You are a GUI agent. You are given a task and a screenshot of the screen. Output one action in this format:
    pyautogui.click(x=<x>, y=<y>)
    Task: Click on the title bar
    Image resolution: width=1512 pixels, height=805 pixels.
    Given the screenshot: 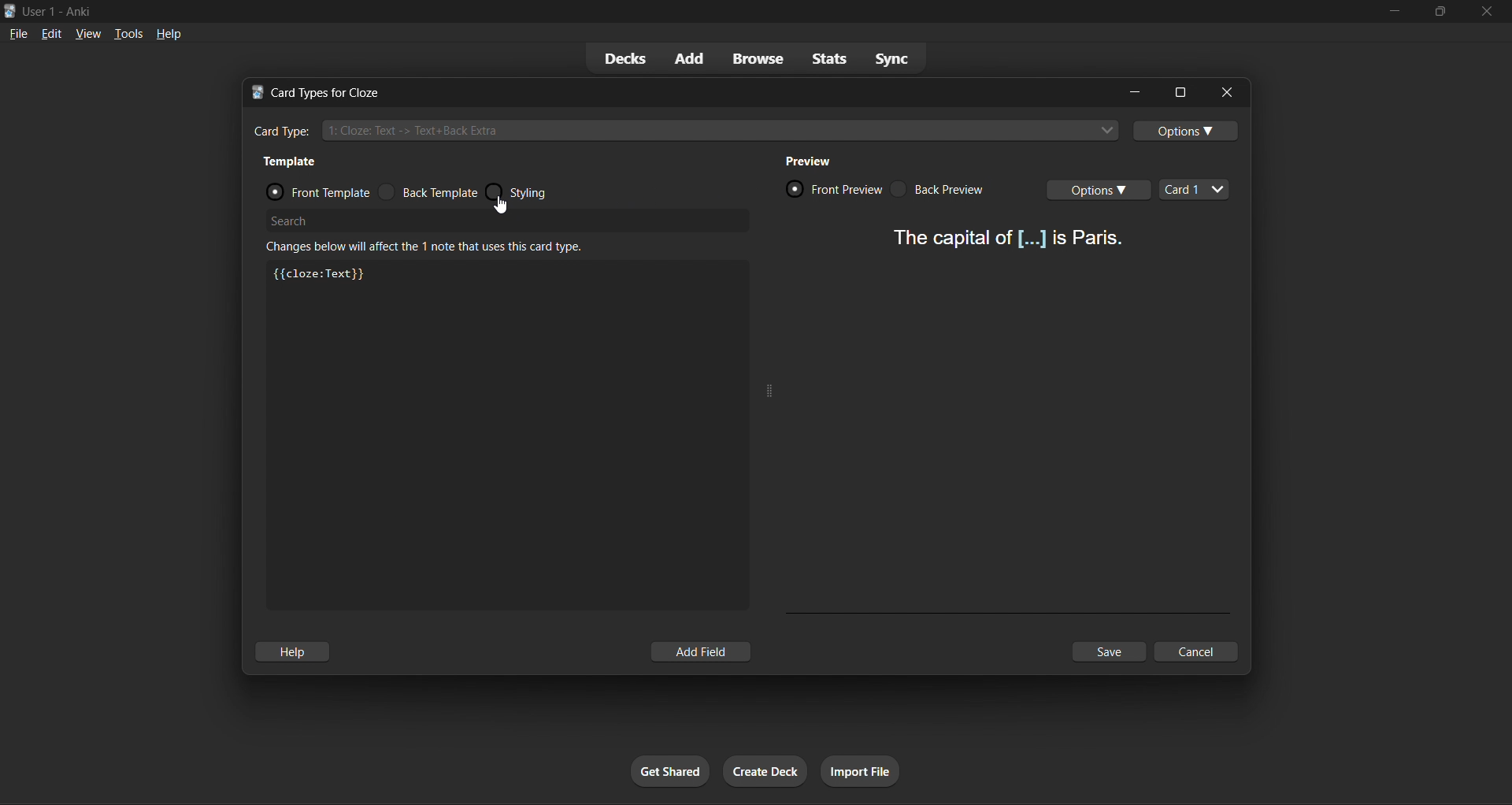 What is the action you would take?
    pyautogui.click(x=672, y=88)
    